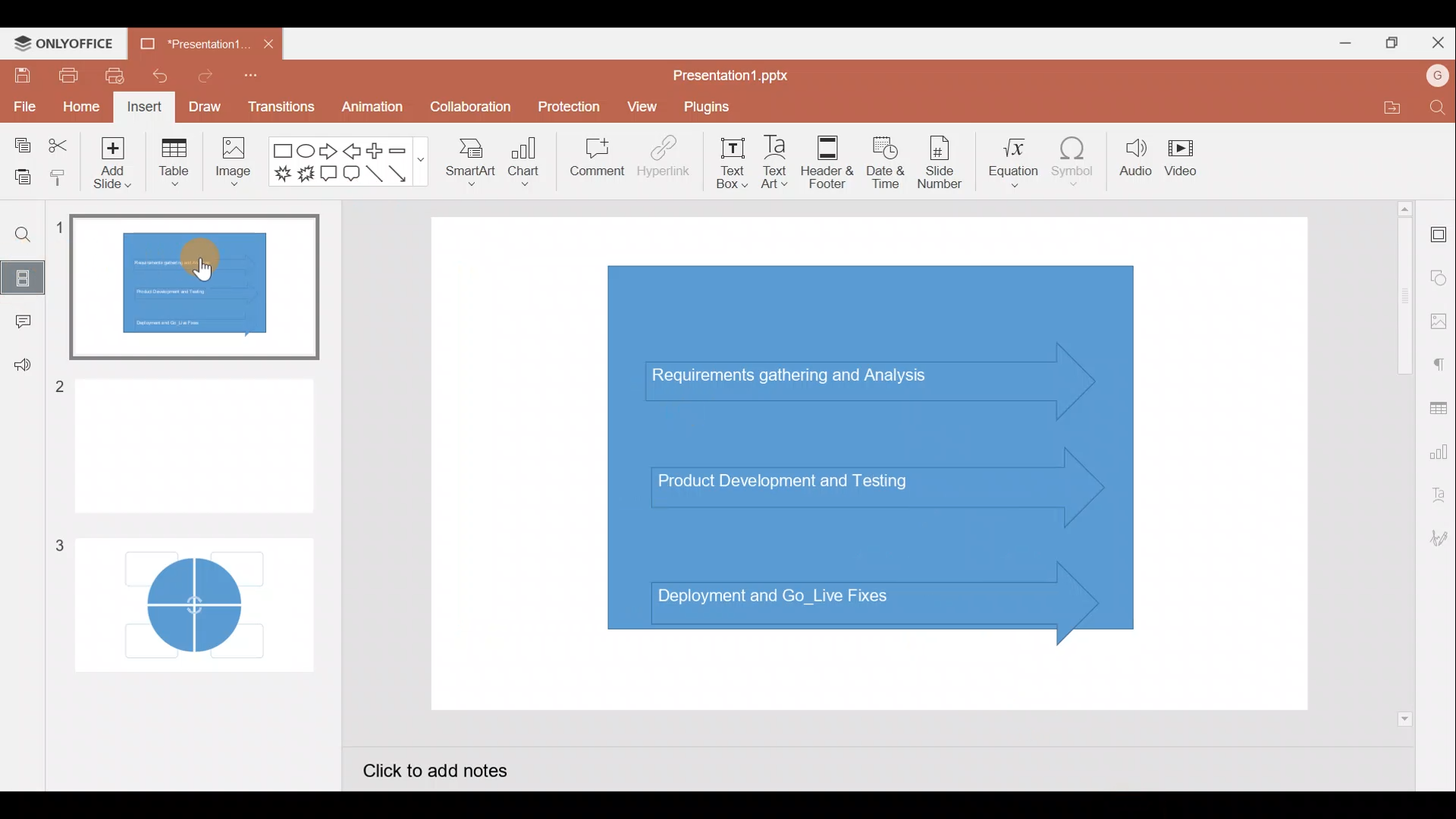  What do you see at coordinates (272, 43) in the screenshot?
I see `Close document` at bounding box center [272, 43].